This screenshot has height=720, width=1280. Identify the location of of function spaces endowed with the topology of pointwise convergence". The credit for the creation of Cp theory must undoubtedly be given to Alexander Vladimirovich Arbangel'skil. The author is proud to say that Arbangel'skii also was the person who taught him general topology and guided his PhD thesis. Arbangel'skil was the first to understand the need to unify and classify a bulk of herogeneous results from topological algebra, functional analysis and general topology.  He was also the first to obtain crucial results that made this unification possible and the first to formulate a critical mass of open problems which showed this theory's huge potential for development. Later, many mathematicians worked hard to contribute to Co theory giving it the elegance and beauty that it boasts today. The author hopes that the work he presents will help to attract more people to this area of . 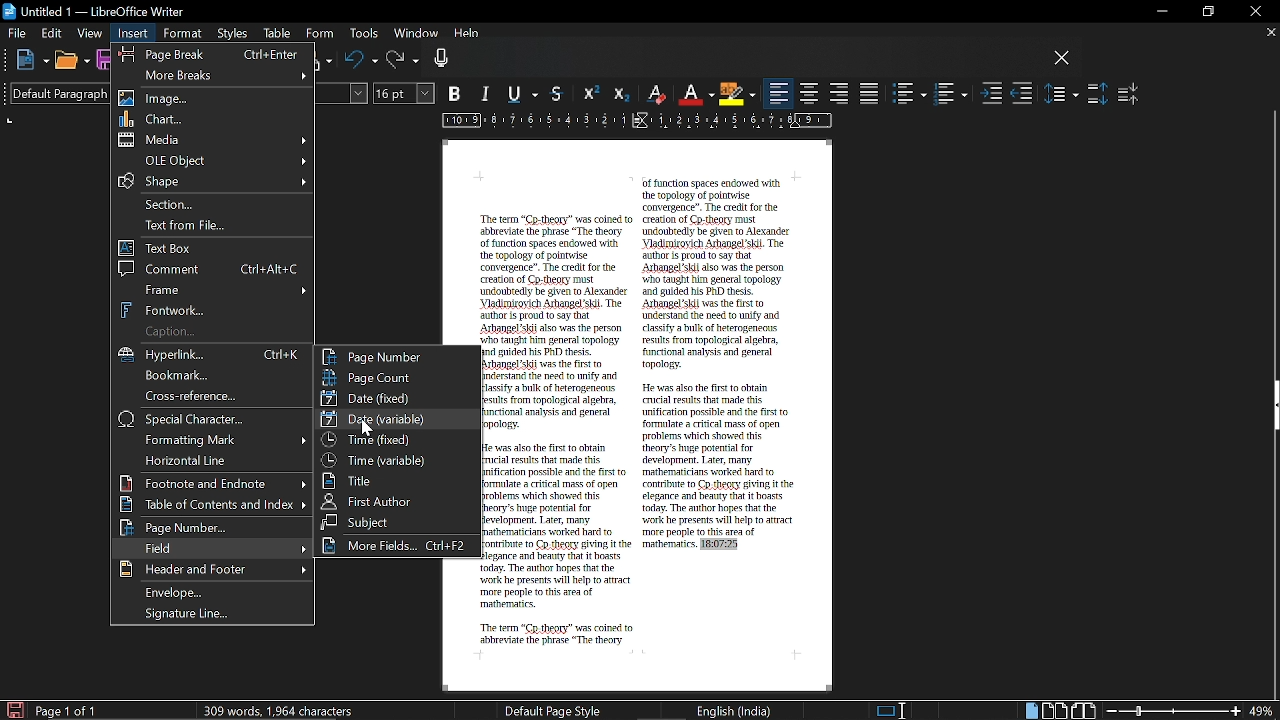
(719, 358).